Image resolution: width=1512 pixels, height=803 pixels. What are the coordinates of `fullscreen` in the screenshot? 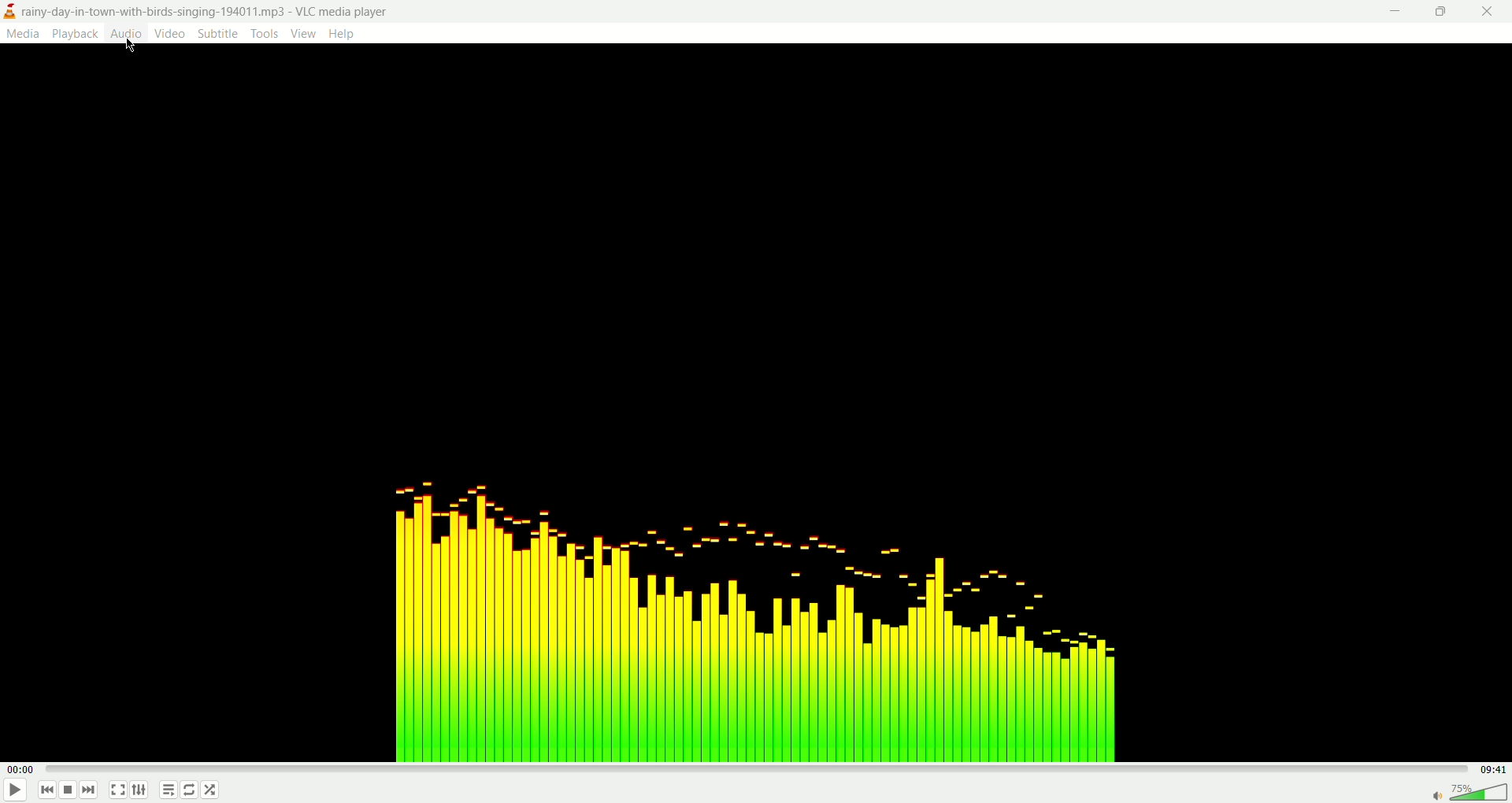 It's located at (117, 791).